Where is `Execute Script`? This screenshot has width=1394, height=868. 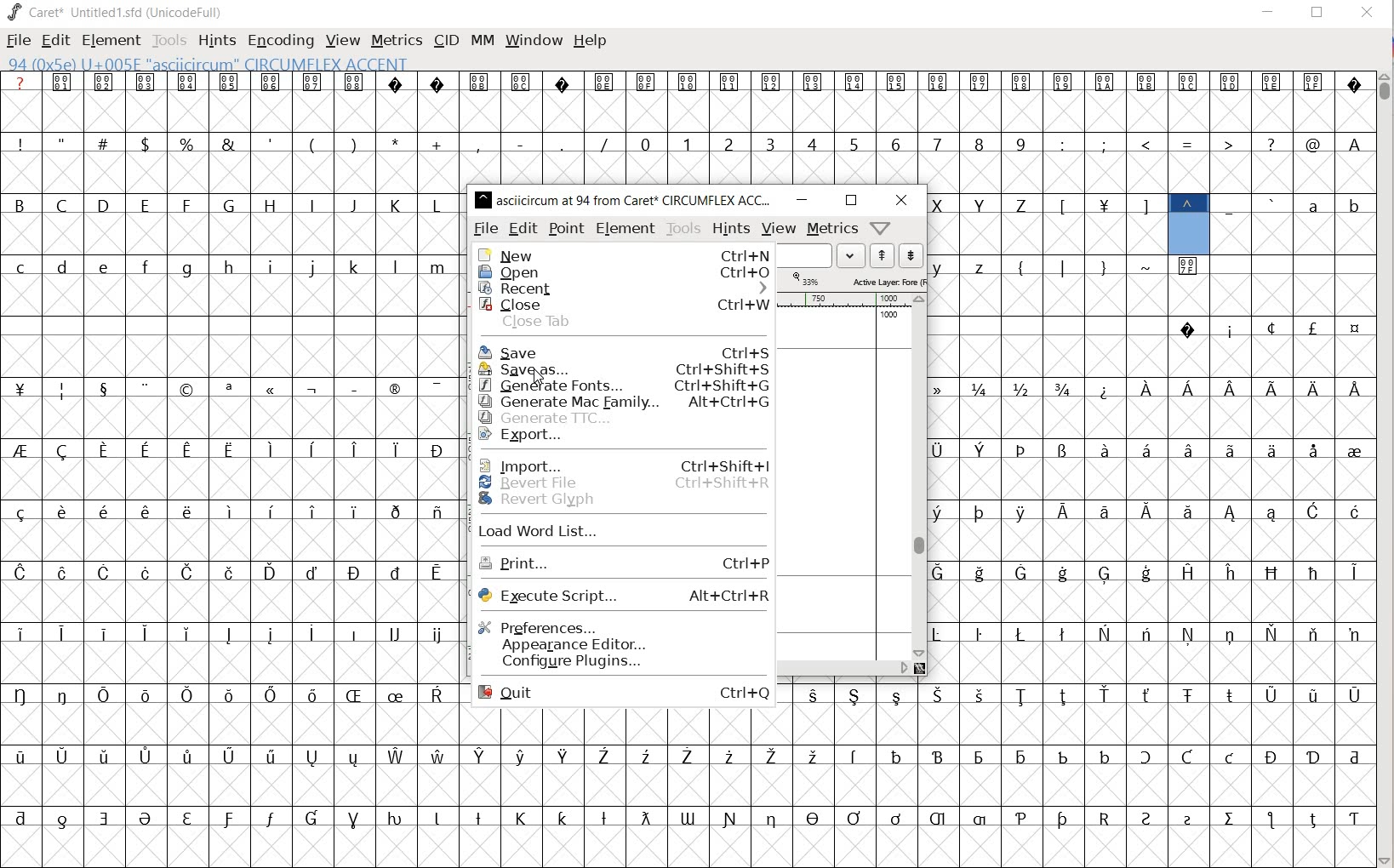 Execute Script is located at coordinates (623, 597).